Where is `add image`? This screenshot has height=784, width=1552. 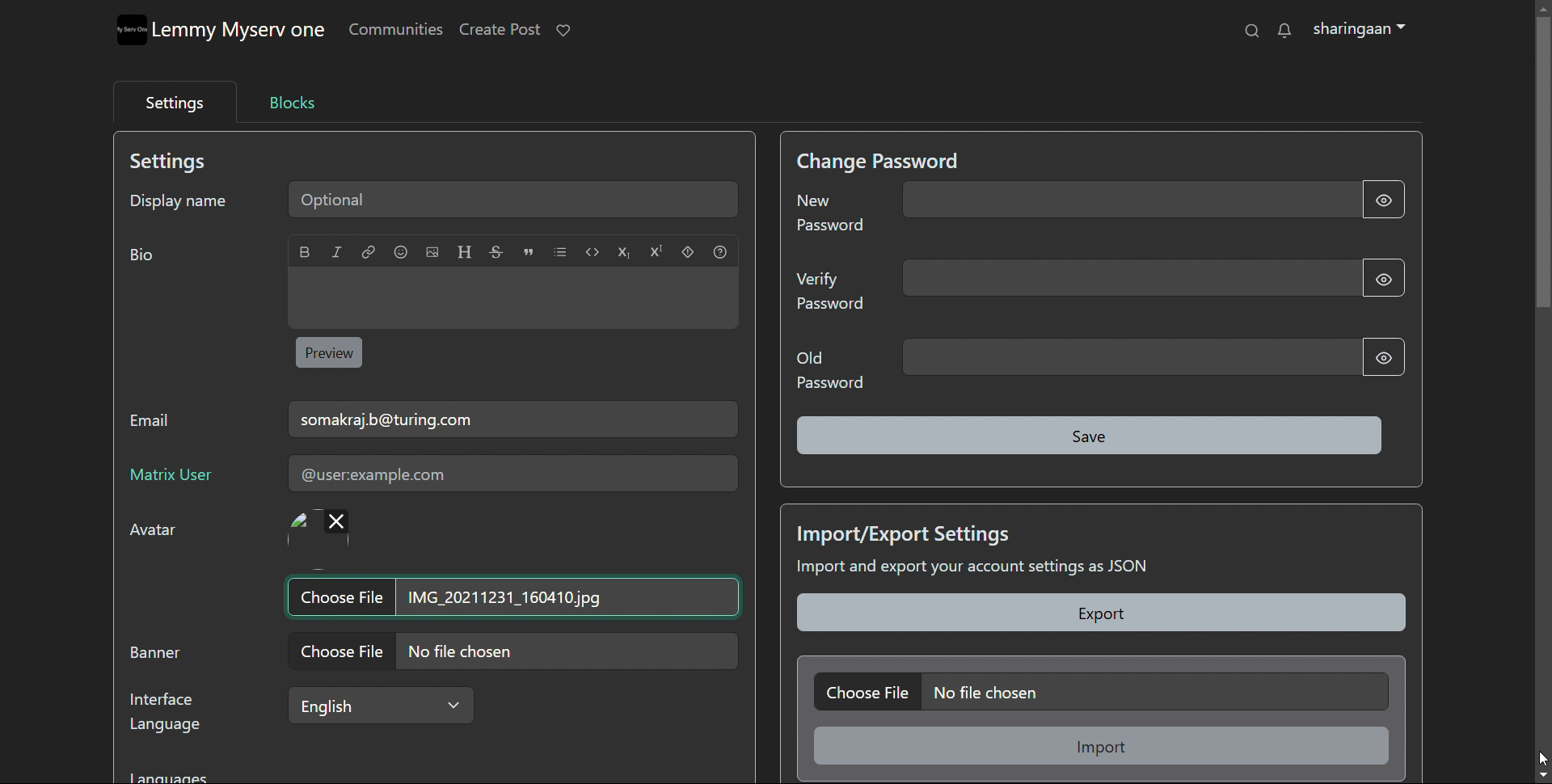
add image is located at coordinates (432, 251).